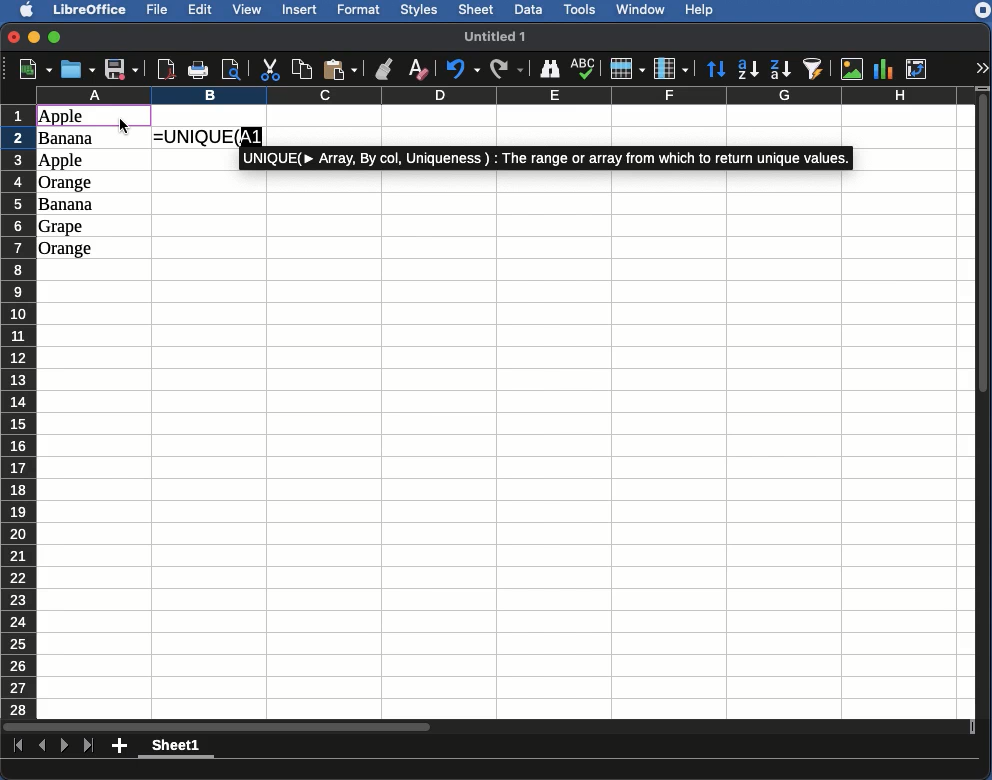  I want to click on Grape, so click(63, 227).